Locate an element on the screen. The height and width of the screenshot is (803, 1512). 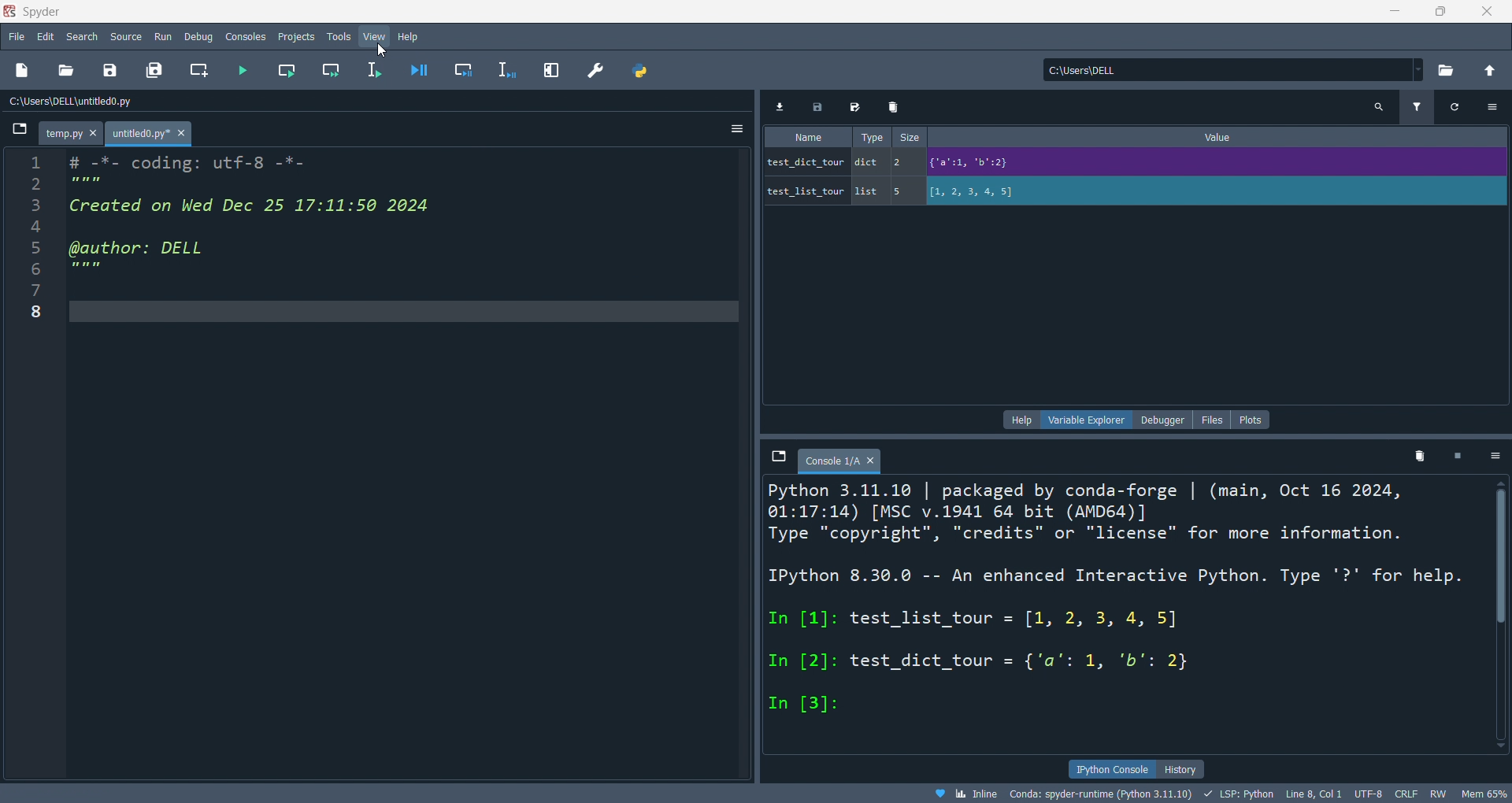
edit is located at coordinates (47, 38).